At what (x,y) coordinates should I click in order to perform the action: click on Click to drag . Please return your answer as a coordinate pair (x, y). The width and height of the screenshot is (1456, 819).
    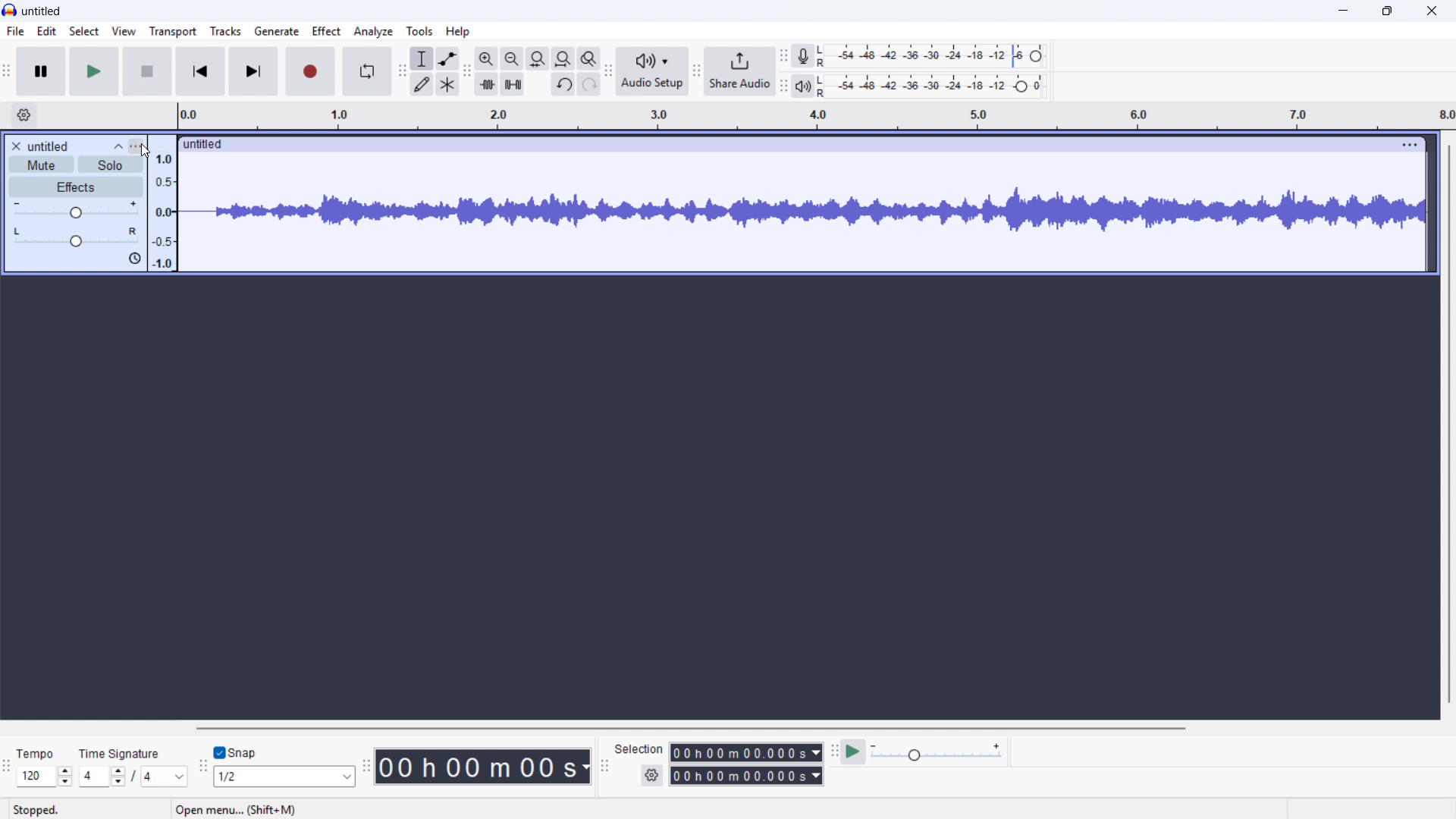
    Looking at the image, I should click on (785, 145).